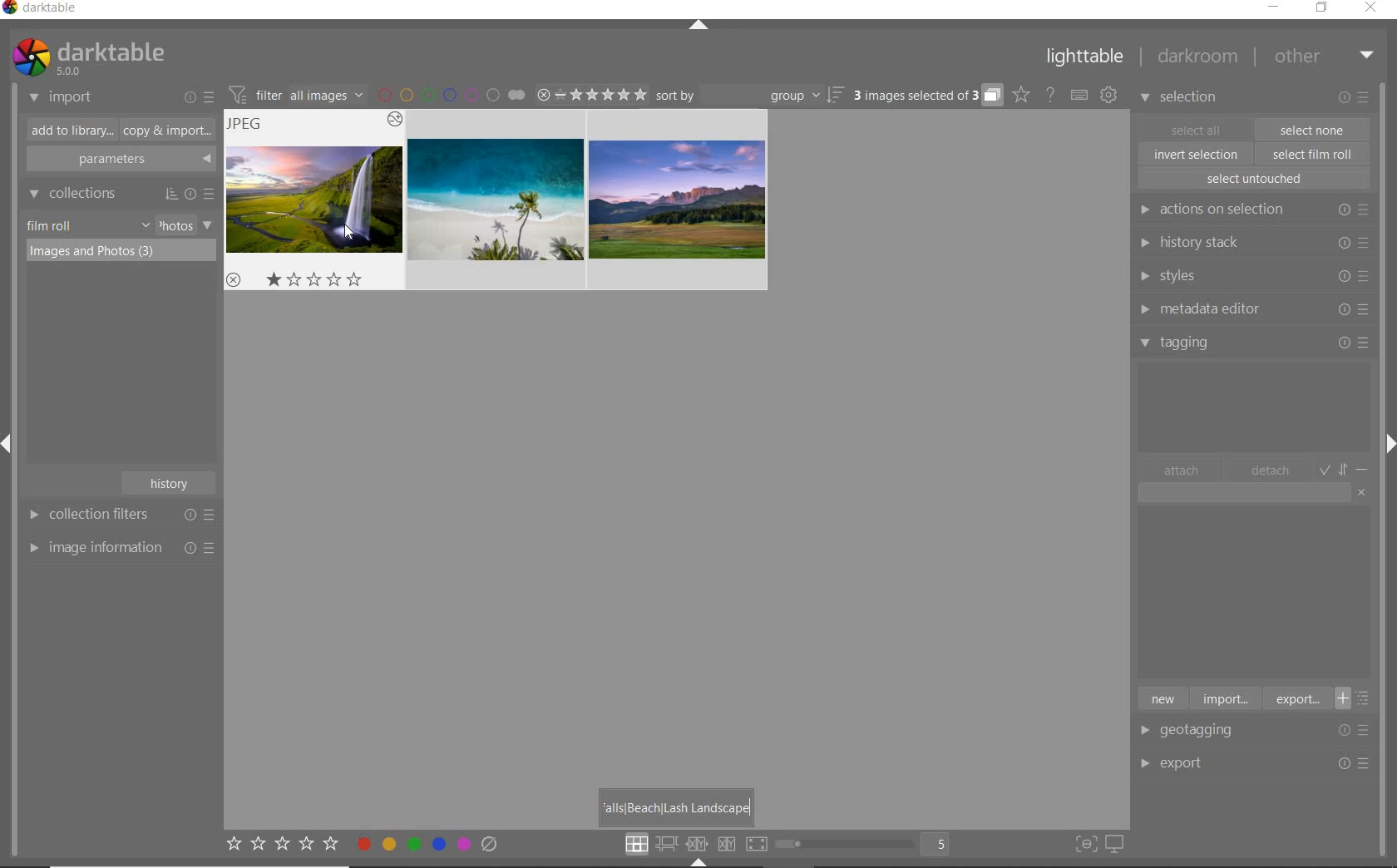 Image resolution: width=1397 pixels, height=868 pixels. Describe the element at coordinates (1374, 9) in the screenshot. I see `close` at that location.